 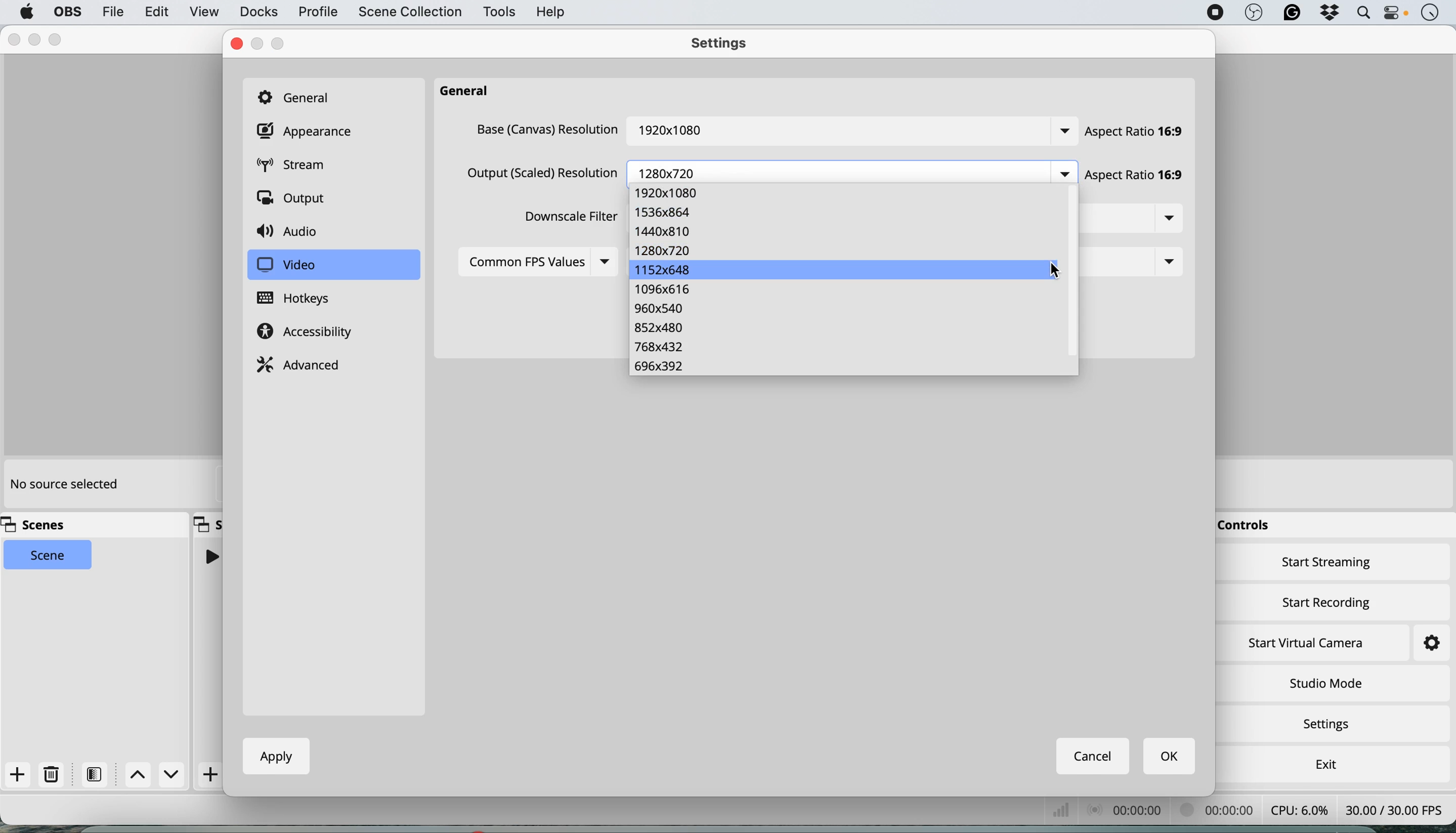 What do you see at coordinates (1323, 761) in the screenshot?
I see `exit` at bounding box center [1323, 761].